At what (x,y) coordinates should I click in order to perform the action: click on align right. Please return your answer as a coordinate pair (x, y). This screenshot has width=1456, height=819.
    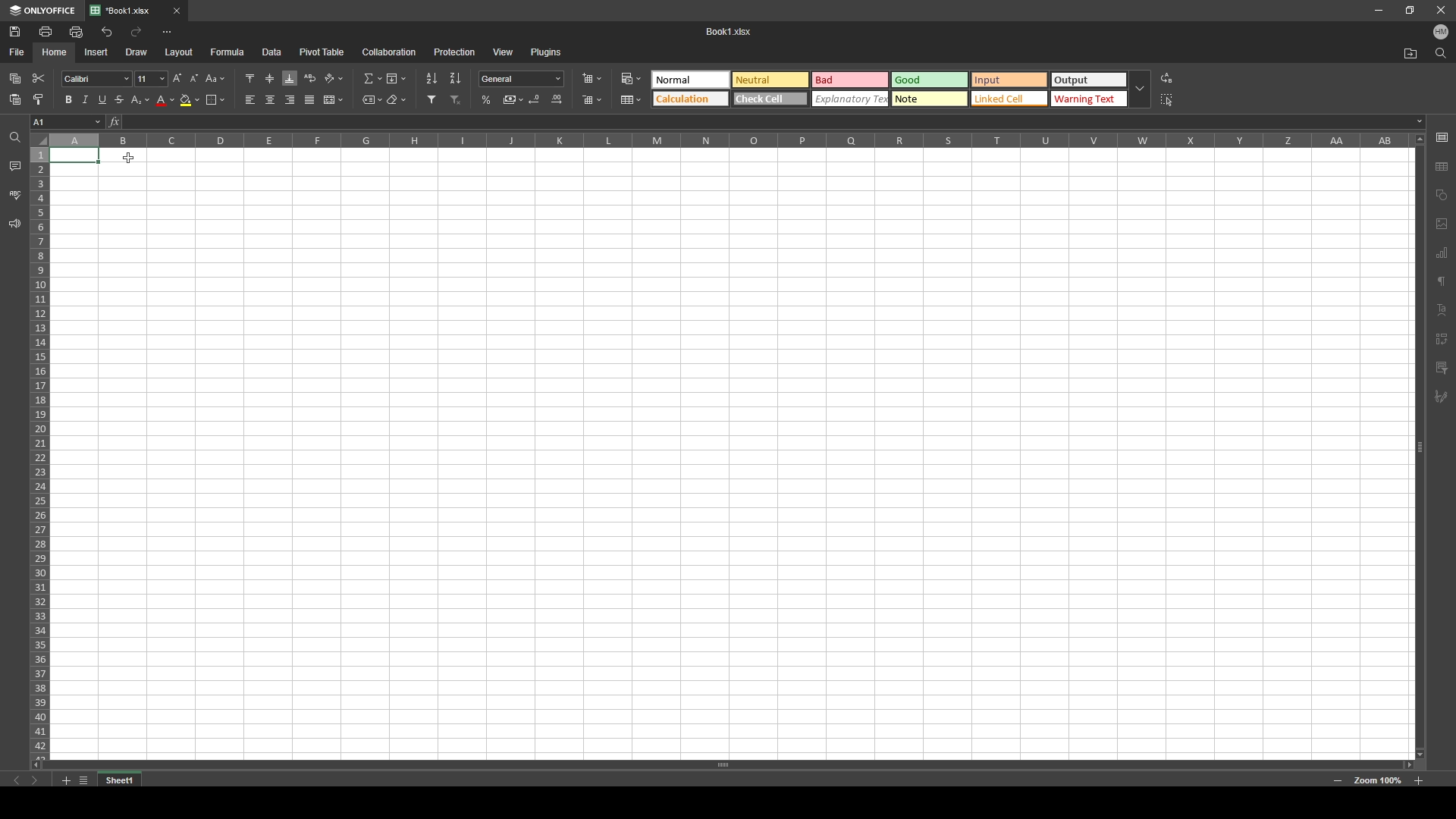
    Looking at the image, I should click on (290, 100).